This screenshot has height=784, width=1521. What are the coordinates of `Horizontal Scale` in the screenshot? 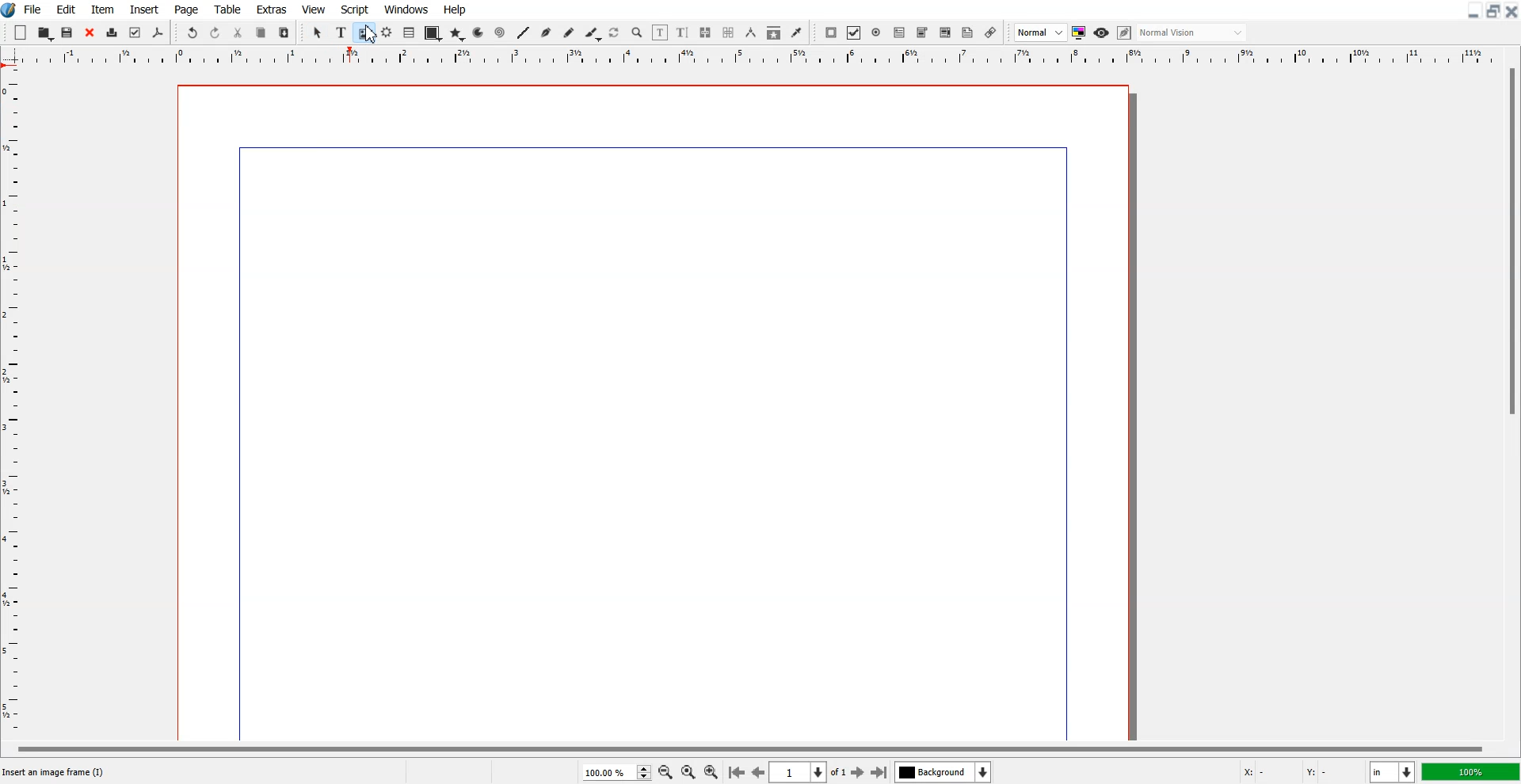 It's located at (15, 403).